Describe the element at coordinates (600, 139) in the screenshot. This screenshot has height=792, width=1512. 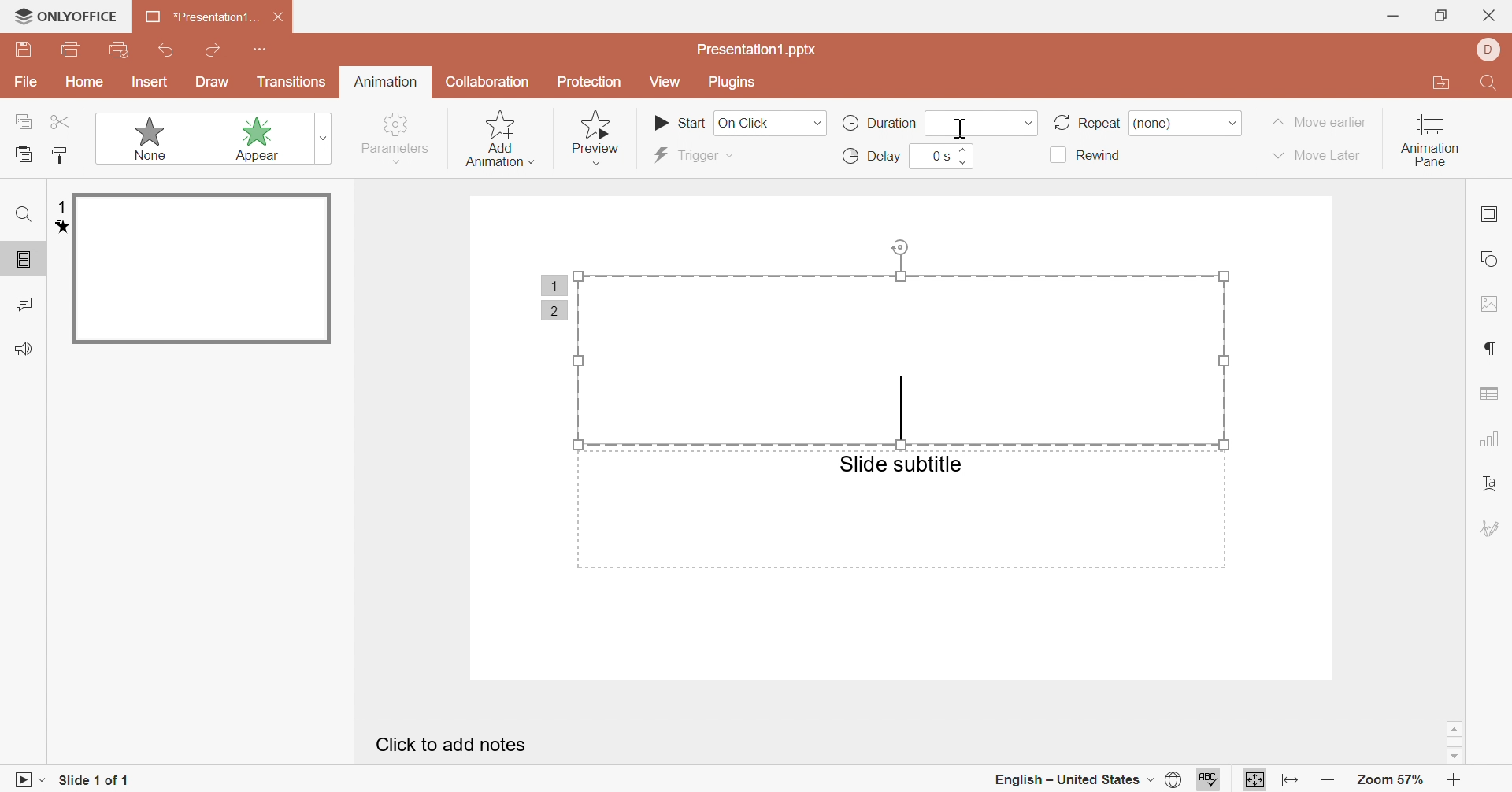
I see `preview` at that location.